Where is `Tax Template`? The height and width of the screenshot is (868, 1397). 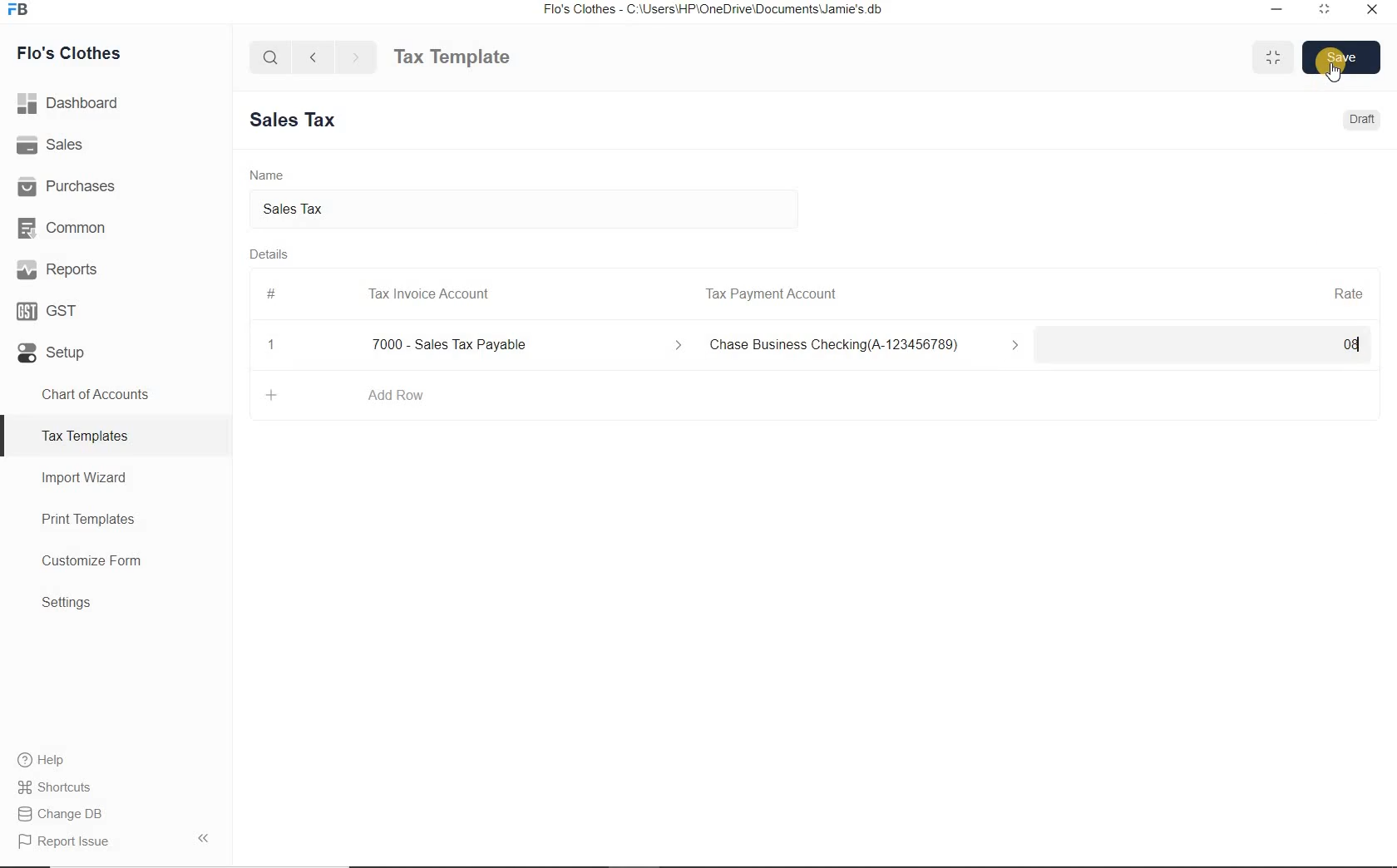 Tax Template is located at coordinates (452, 57).